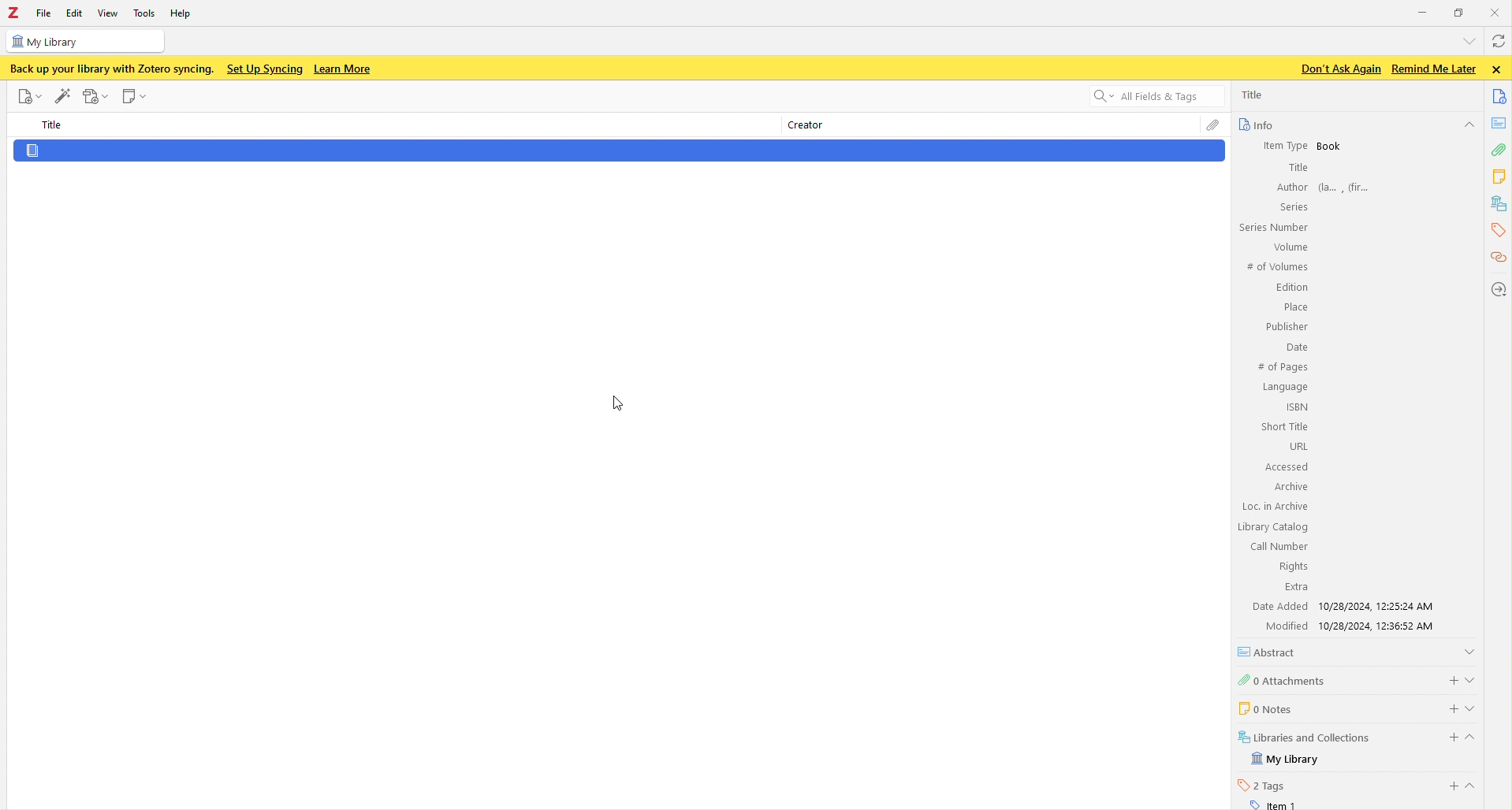 The image size is (1512, 810). I want to click on My Library, so click(84, 41).